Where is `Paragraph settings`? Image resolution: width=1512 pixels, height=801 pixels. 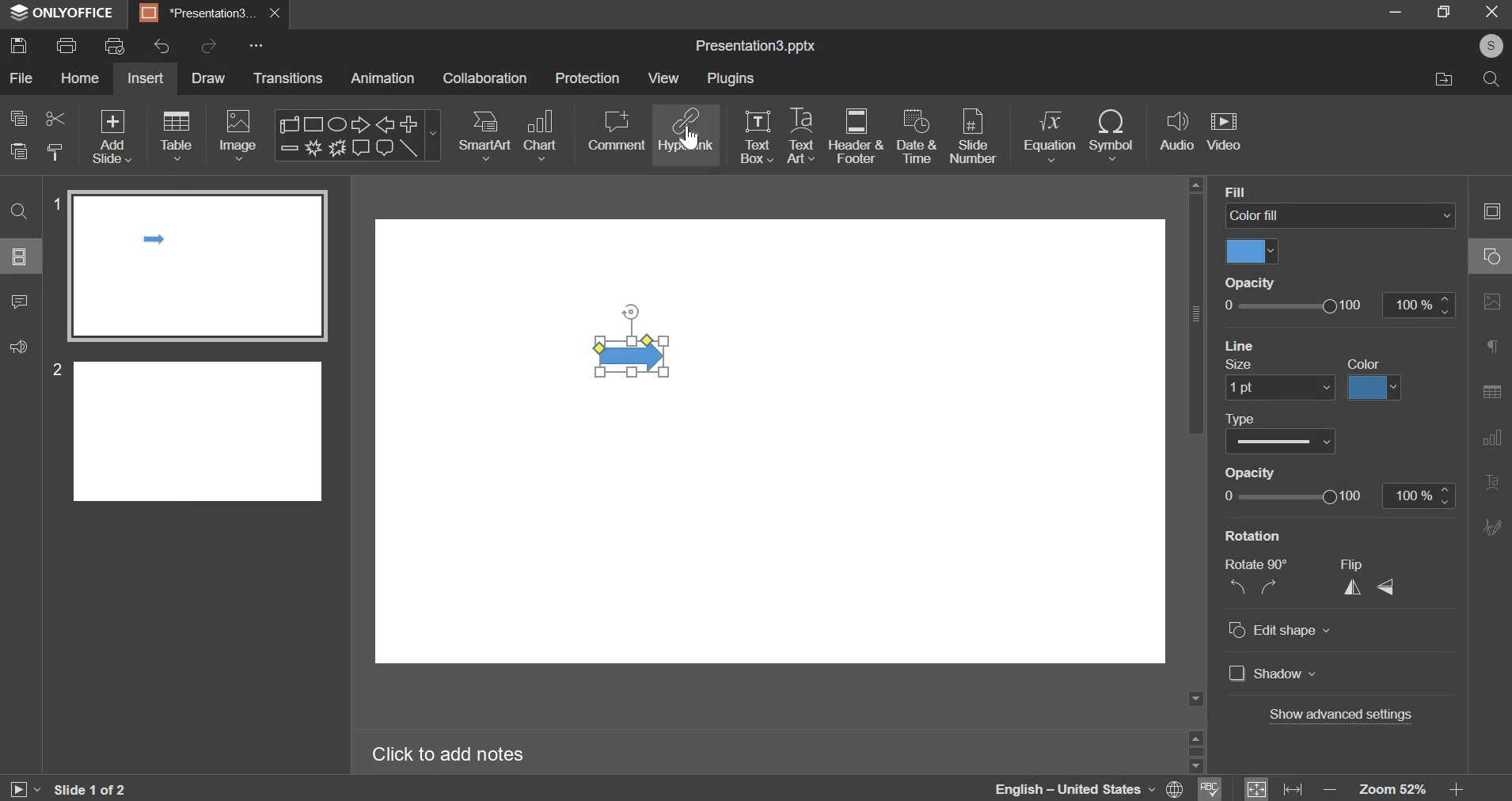 Paragraph settings is located at coordinates (1492, 345).